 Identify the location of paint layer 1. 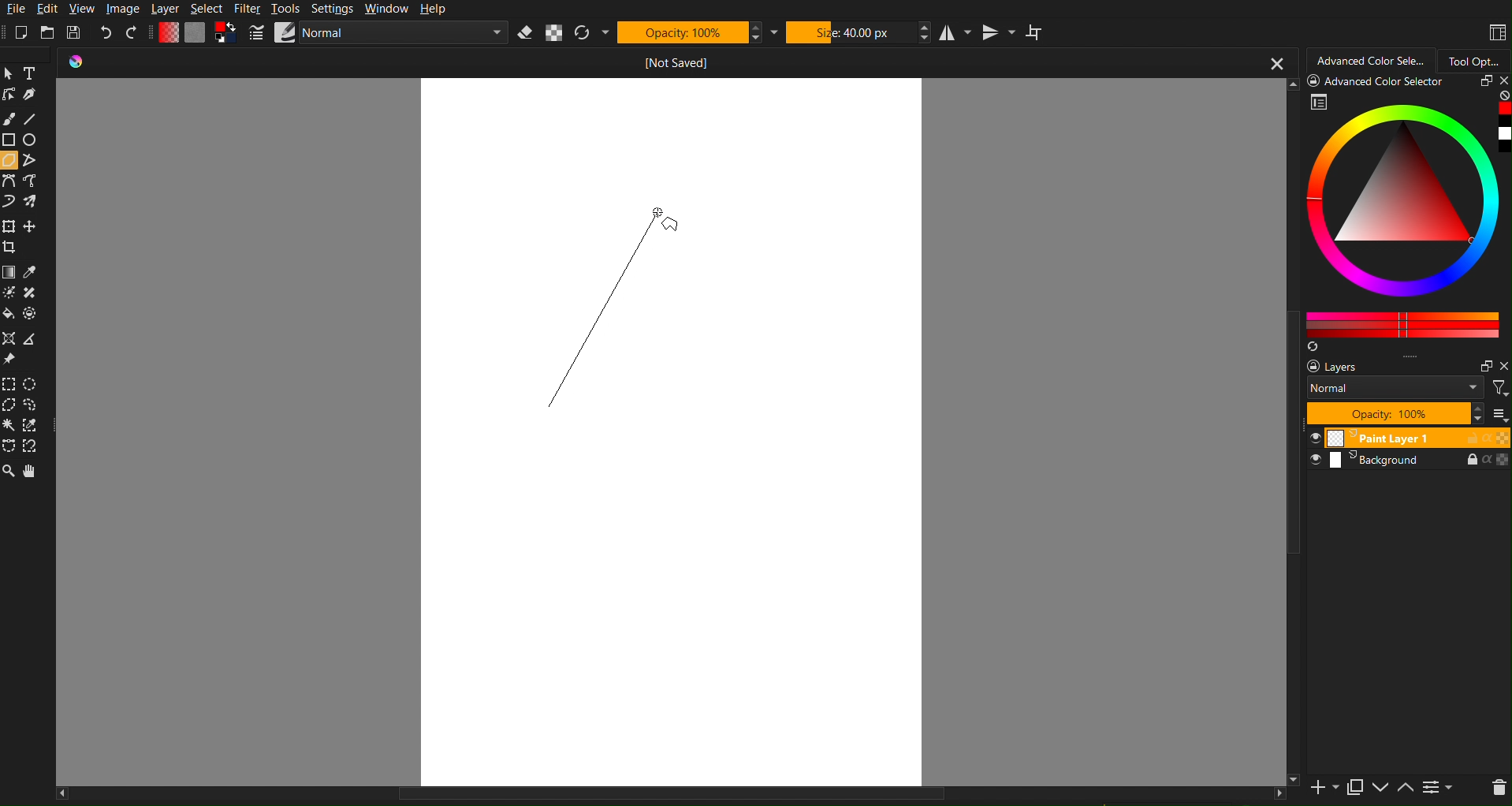
(1407, 438).